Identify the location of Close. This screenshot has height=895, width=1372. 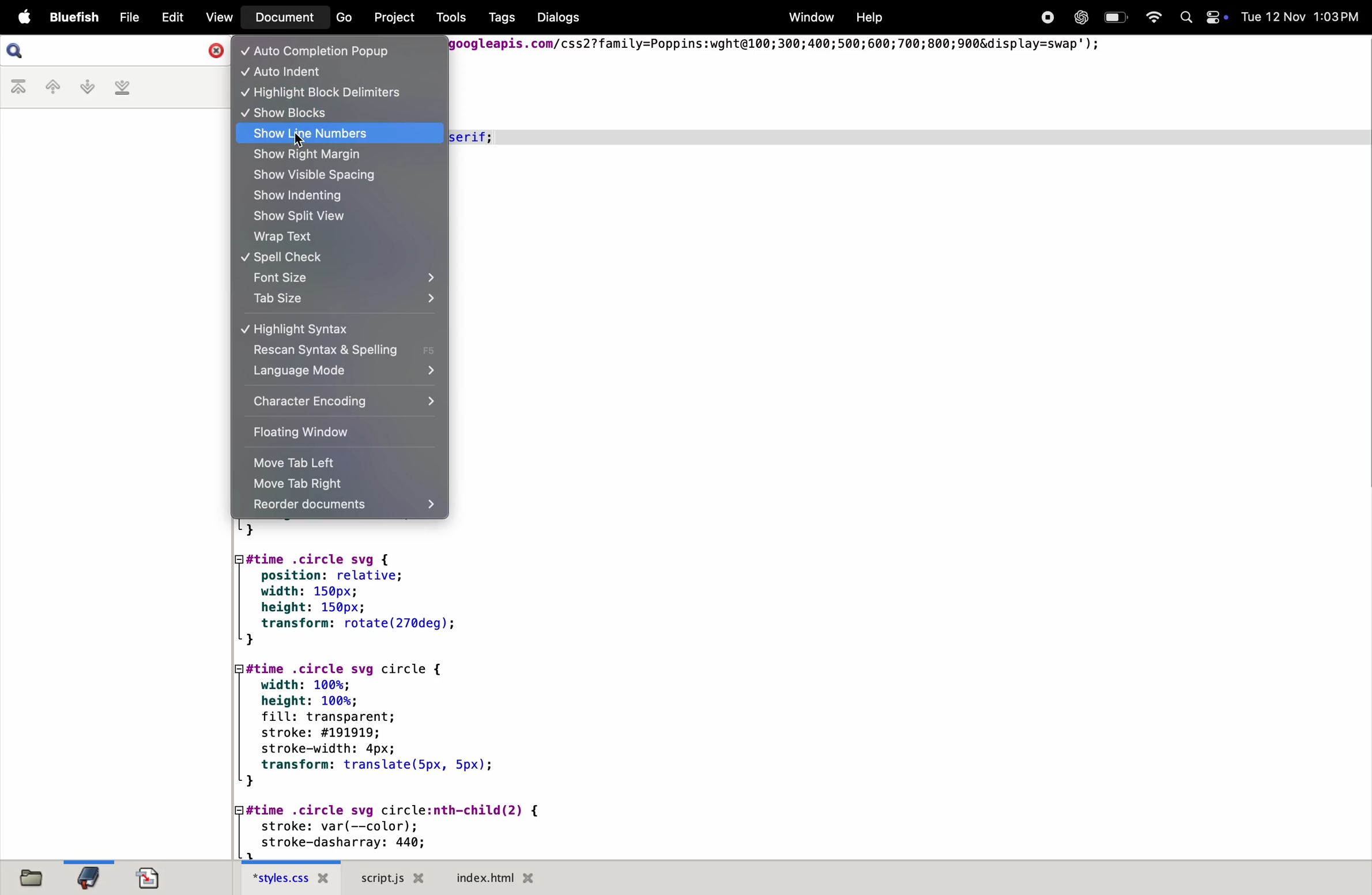
(216, 50).